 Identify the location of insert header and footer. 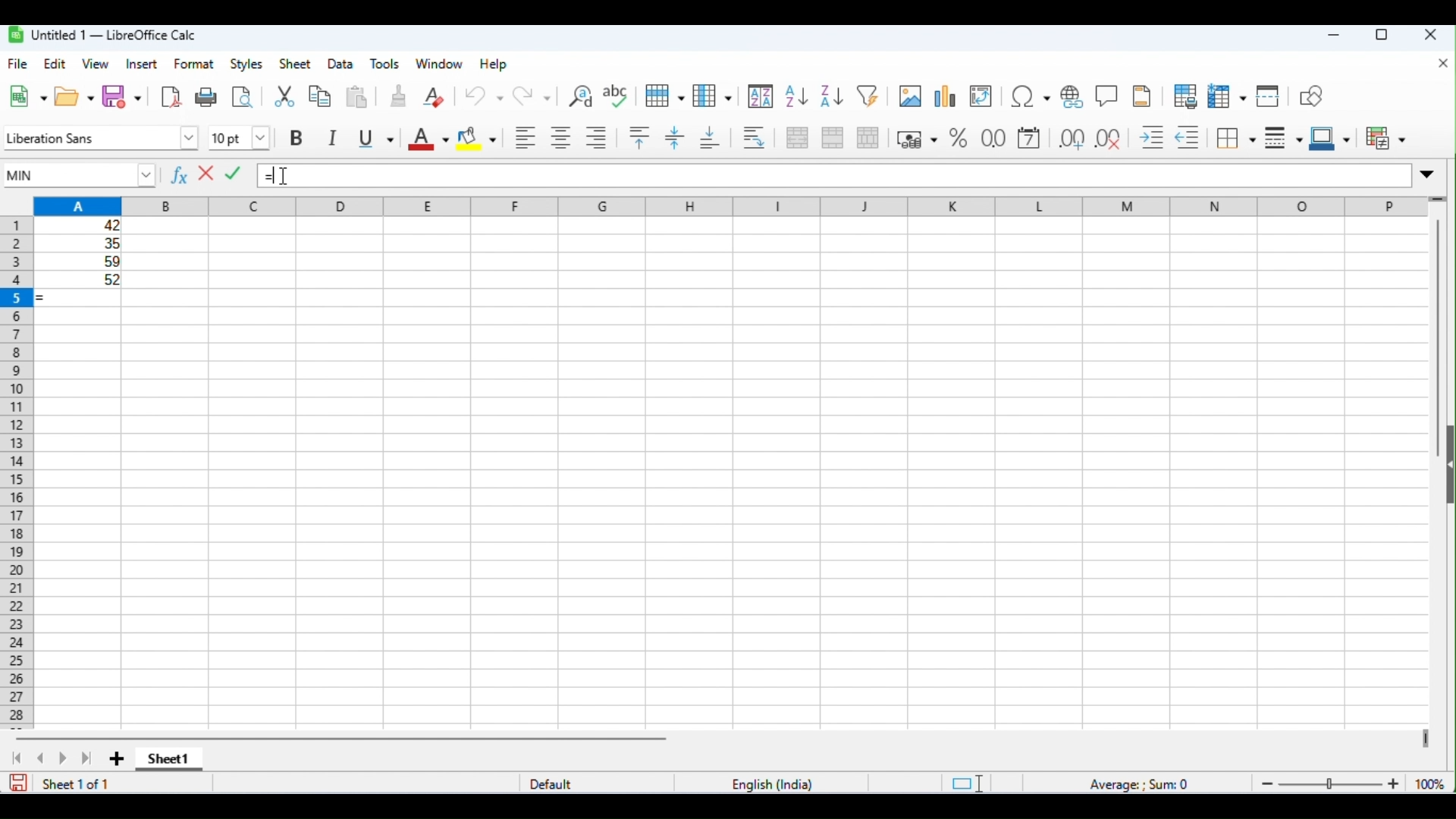
(1143, 96).